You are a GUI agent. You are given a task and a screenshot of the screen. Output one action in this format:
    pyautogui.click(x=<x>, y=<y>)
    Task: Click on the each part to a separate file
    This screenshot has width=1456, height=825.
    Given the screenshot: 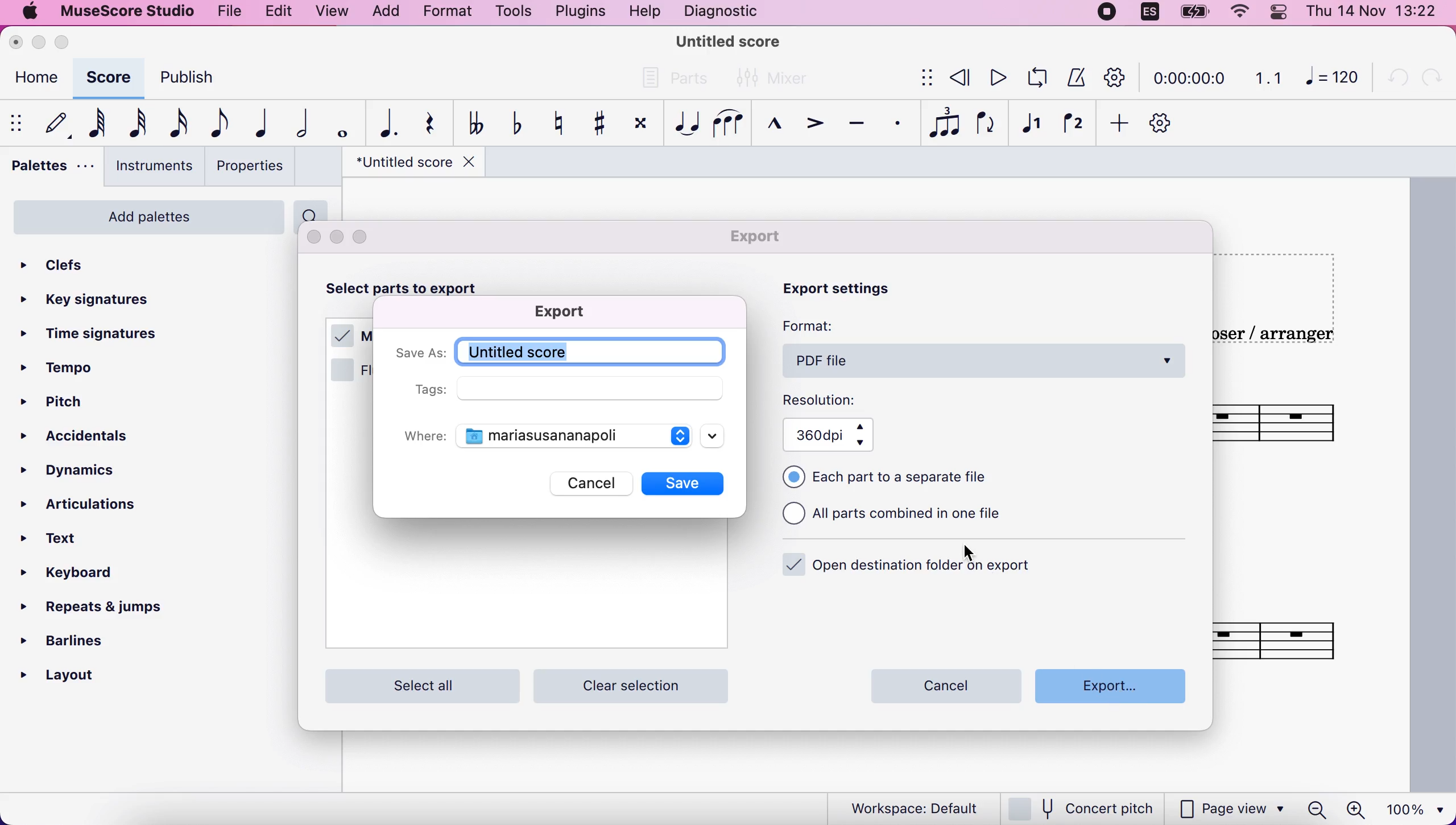 What is the action you would take?
    pyautogui.click(x=891, y=478)
    